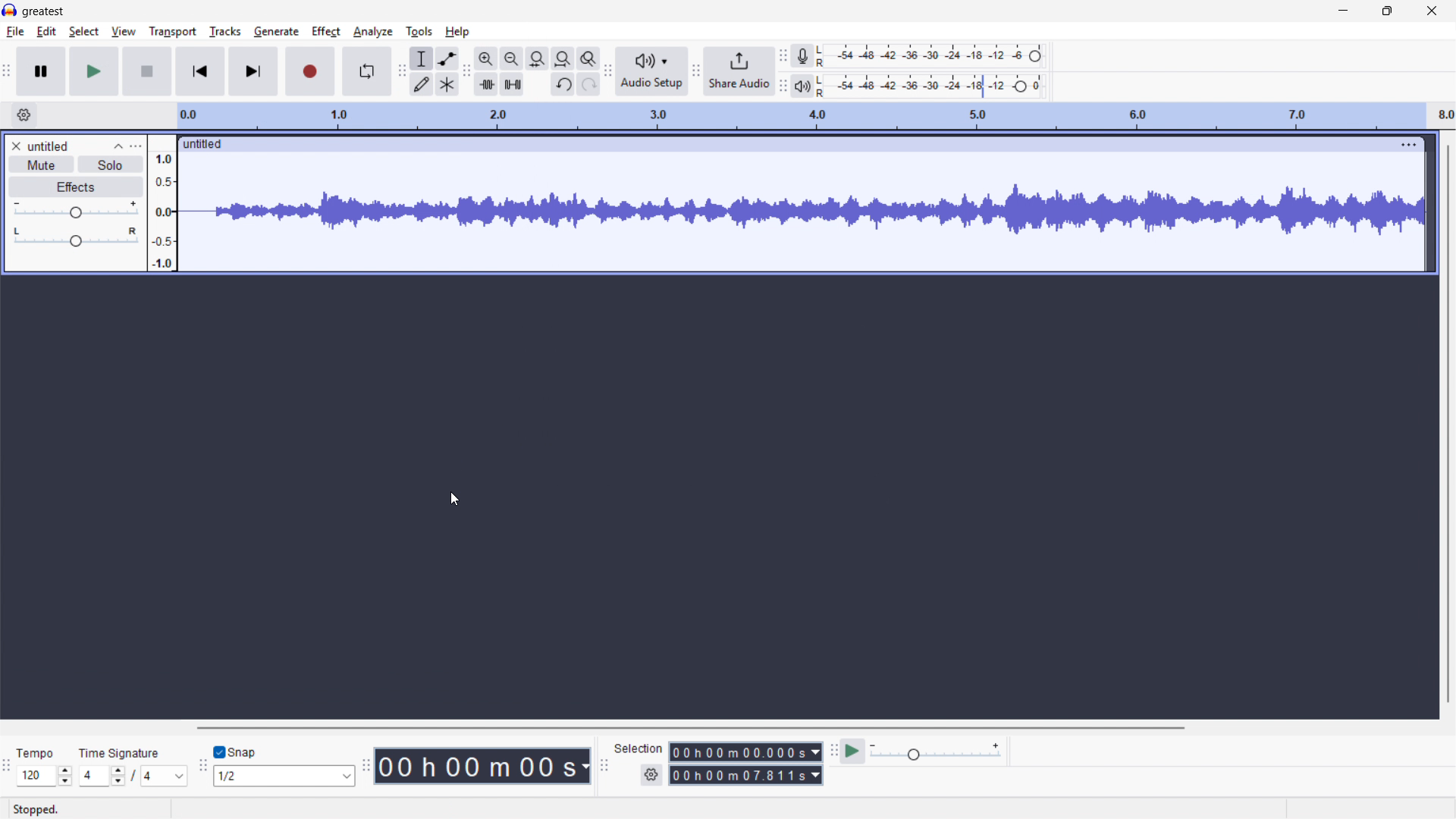  Describe the element at coordinates (36, 754) in the screenshot. I see `tempo` at that location.